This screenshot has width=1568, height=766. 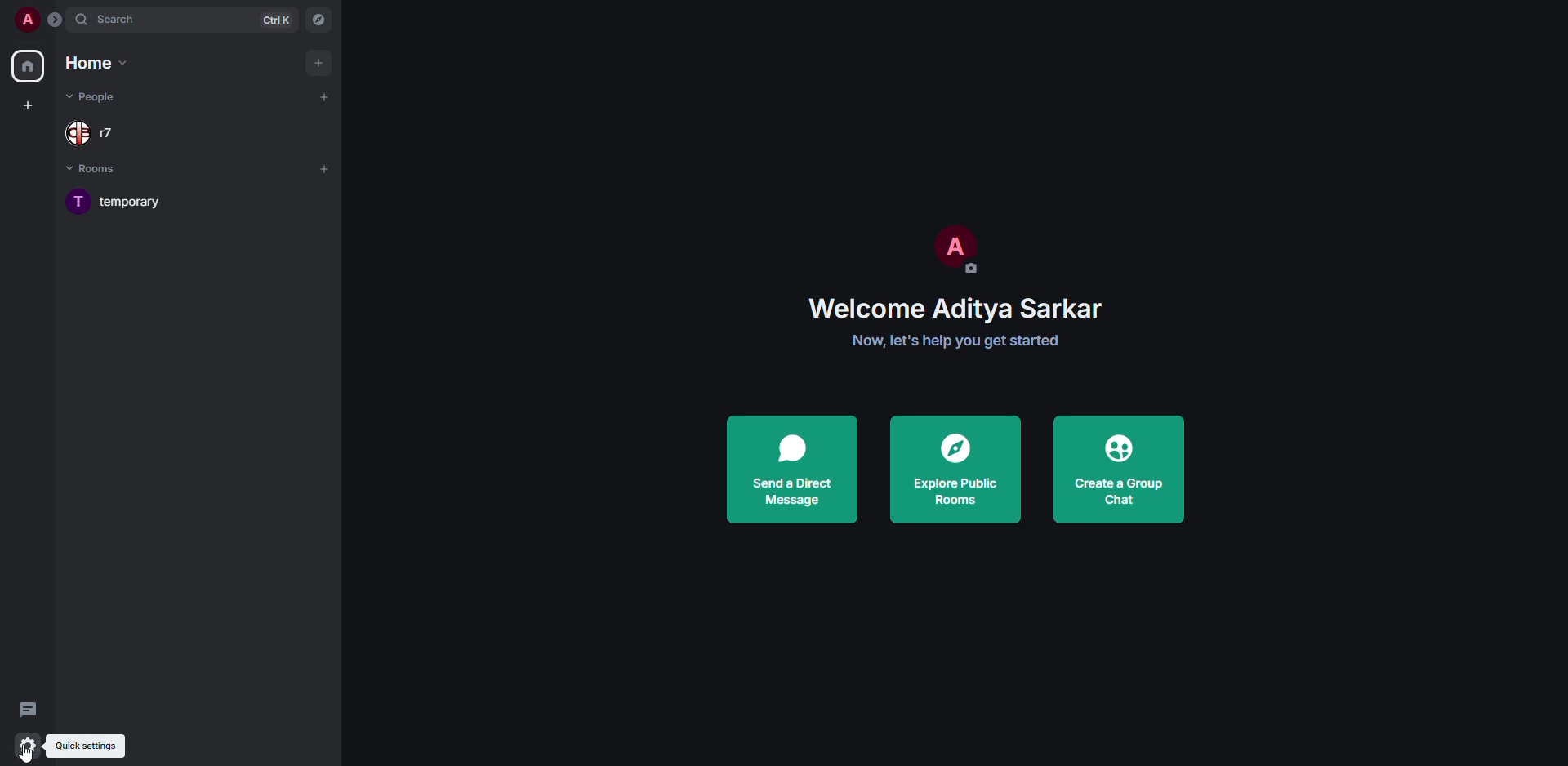 I want to click on create space, so click(x=31, y=102).